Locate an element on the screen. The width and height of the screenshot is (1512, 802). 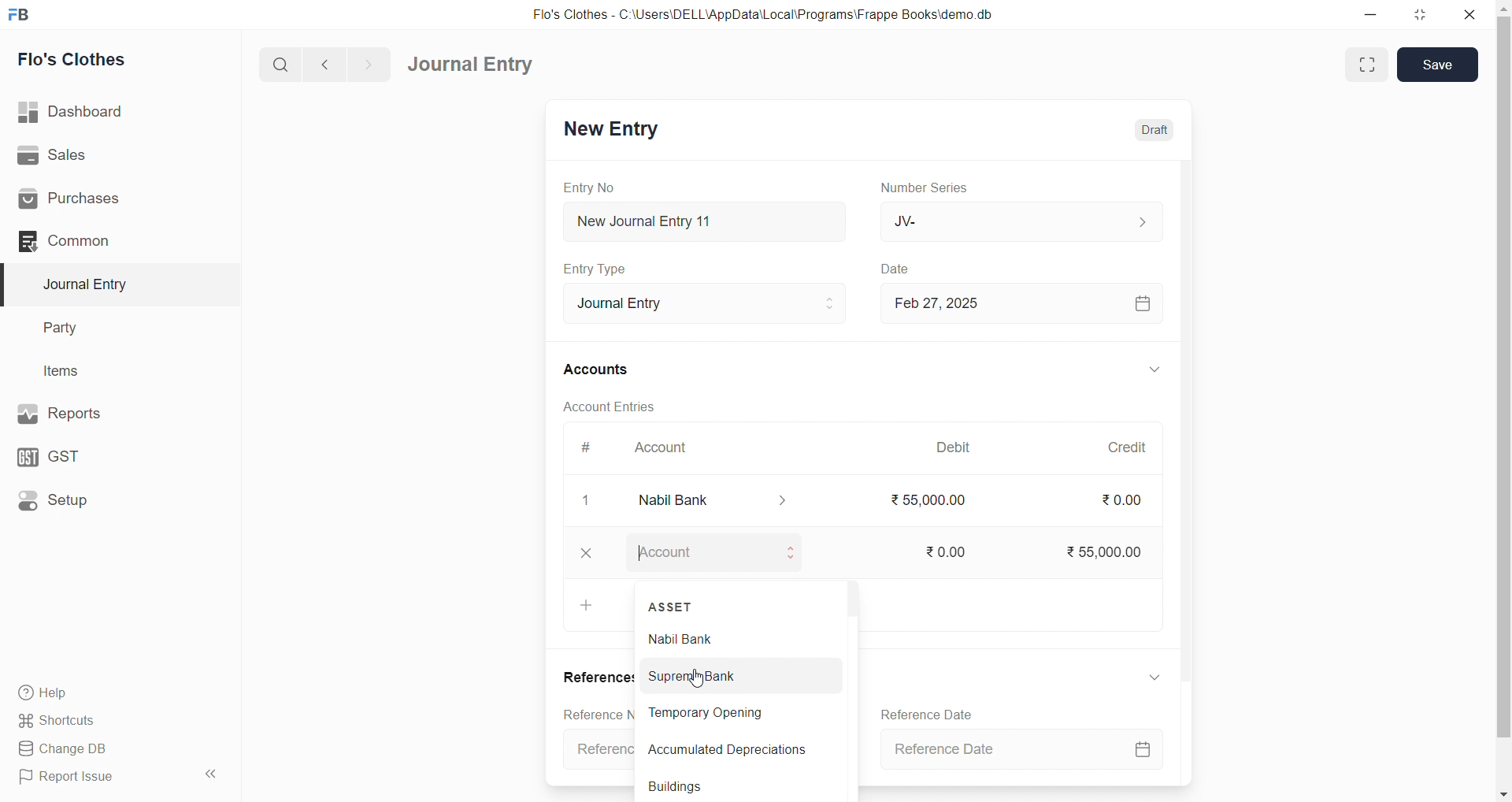
Number Series is located at coordinates (936, 188).